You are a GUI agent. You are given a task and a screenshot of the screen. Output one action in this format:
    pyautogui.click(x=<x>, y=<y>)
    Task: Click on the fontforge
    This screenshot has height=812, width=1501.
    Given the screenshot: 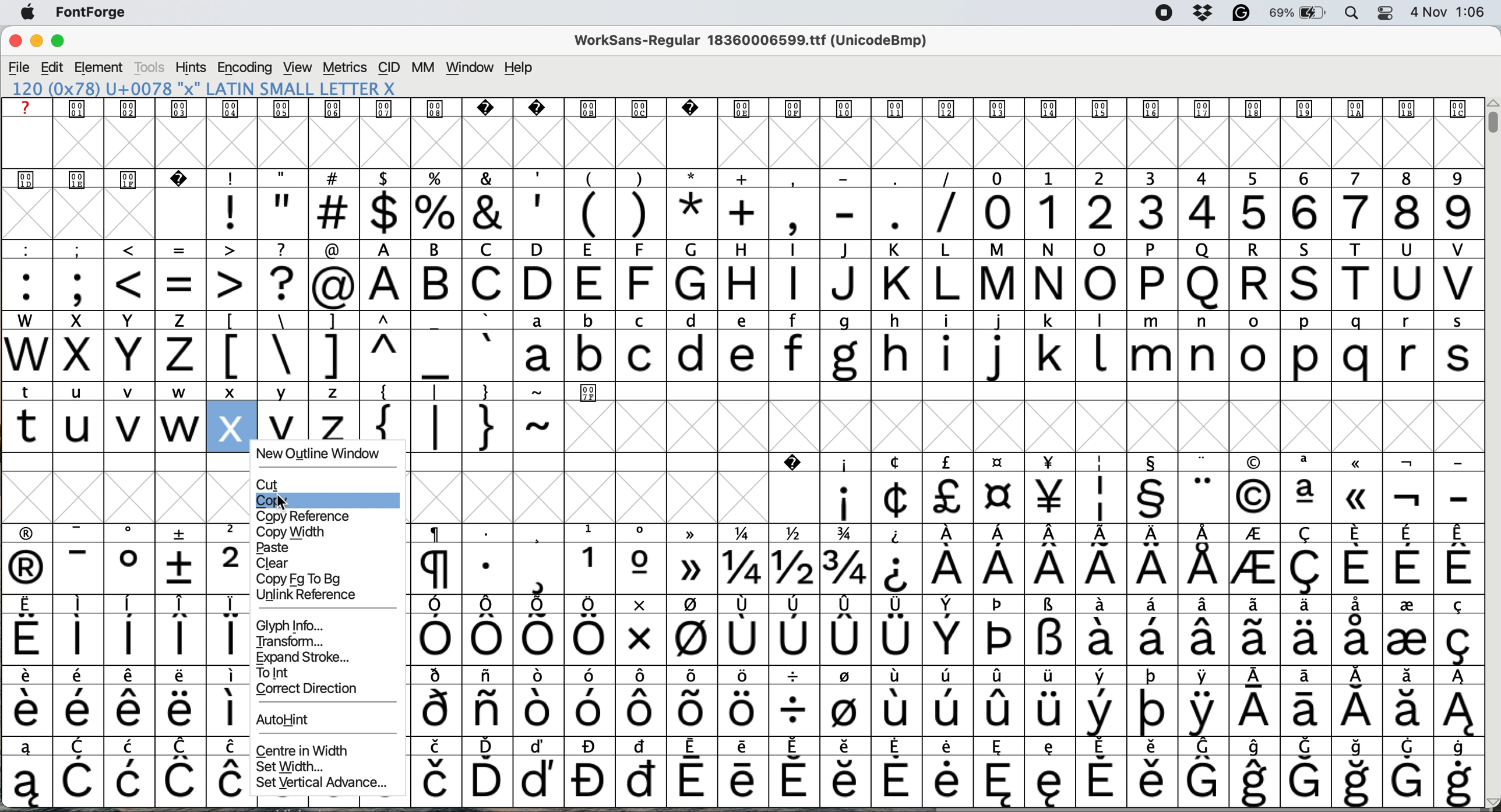 What is the action you would take?
    pyautogui.click(x=96, y=15)
    